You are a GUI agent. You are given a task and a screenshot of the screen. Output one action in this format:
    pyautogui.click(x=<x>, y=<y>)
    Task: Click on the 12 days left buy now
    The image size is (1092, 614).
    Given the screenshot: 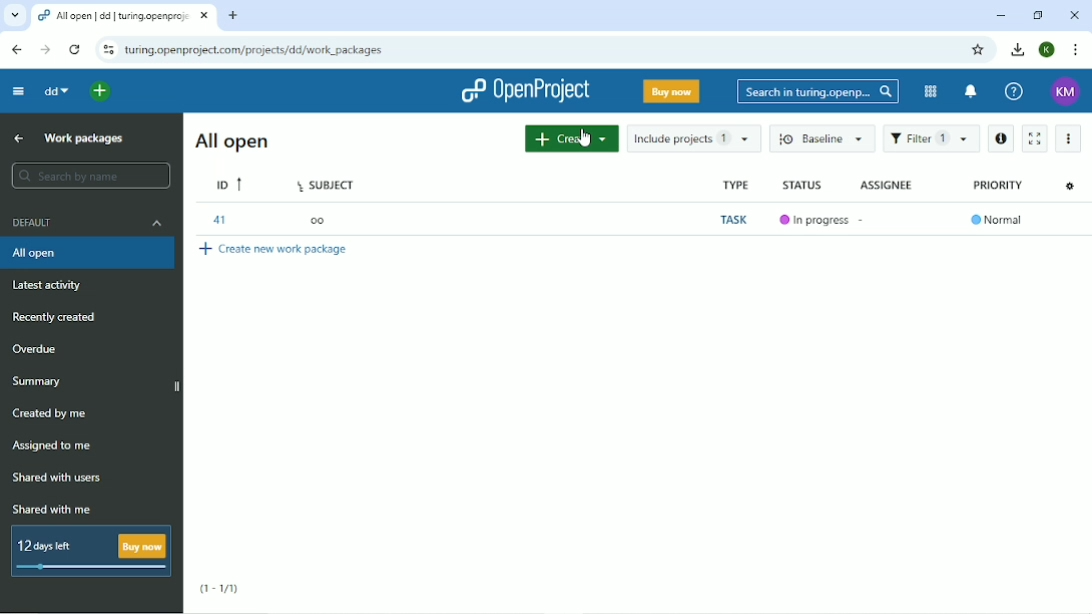 What is the action you would take?
    pyautogui.click(x=92, y=553)
    